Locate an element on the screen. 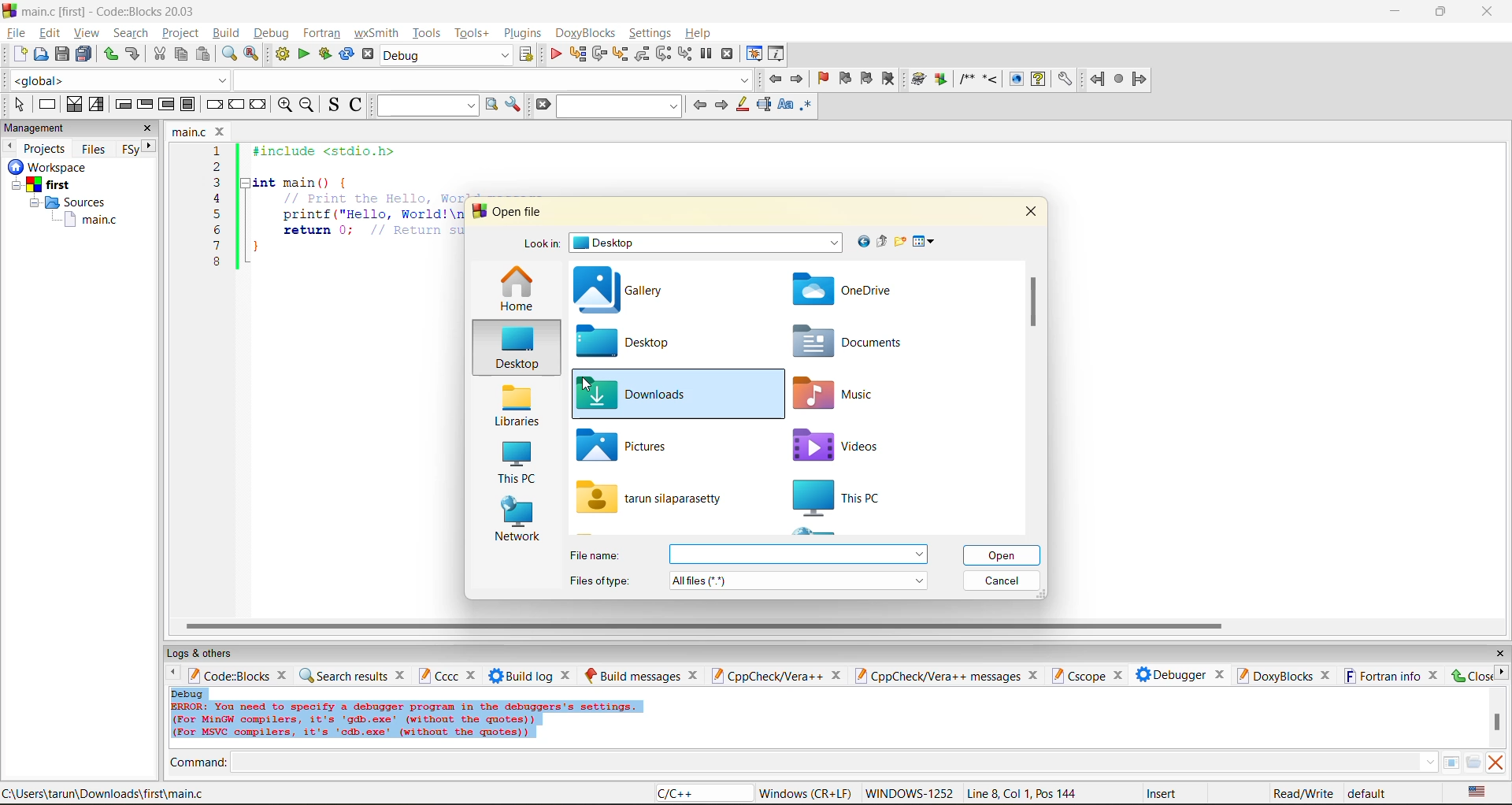 This screenshot has width=1512, height=805. next instruction is located at coordinates (663, 54).